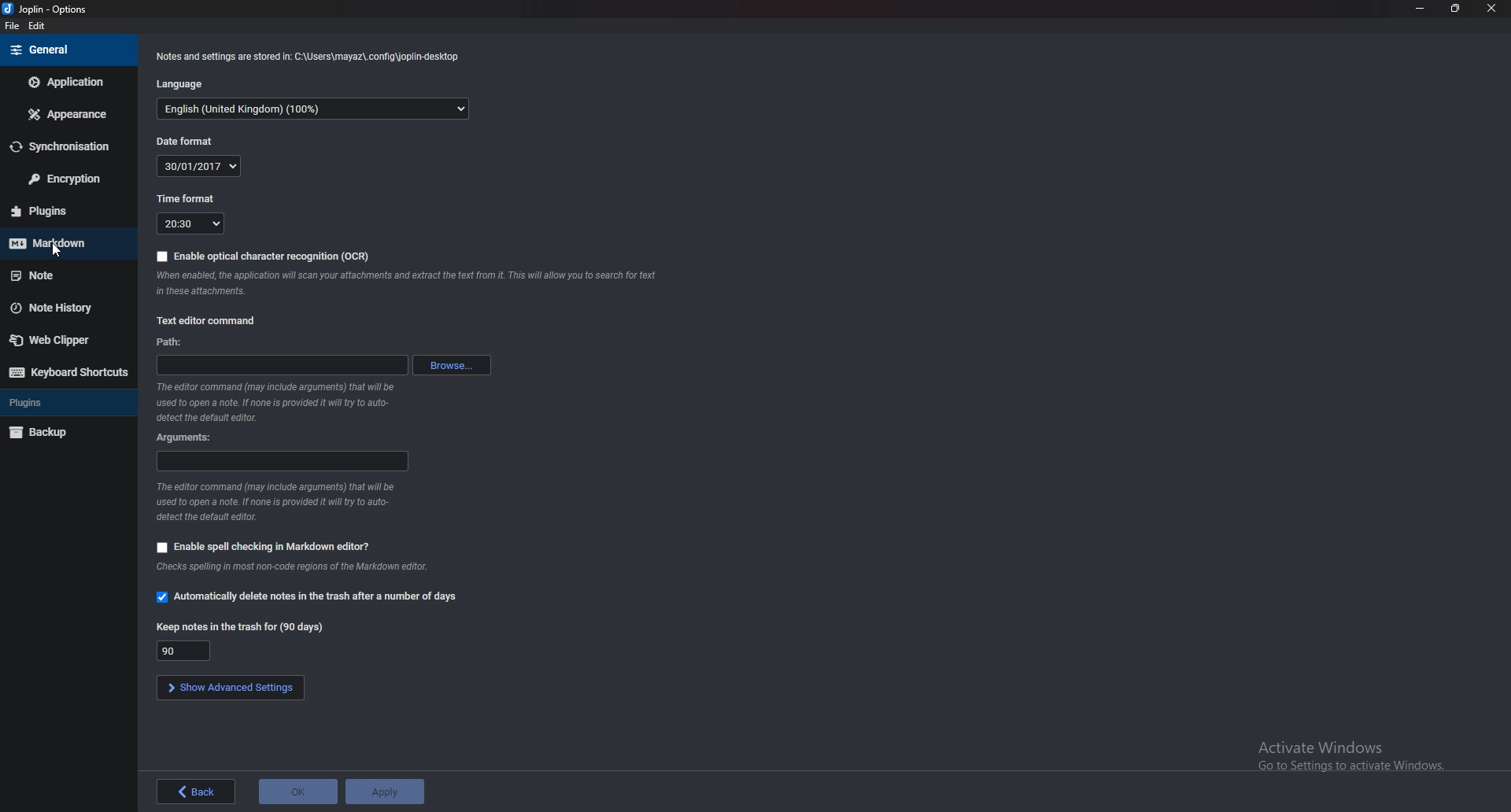 The width and height of the screenshot is (1511, 812). Describe the element at coordinates (39, 26) in the screenshot. I see `edit` at that location.